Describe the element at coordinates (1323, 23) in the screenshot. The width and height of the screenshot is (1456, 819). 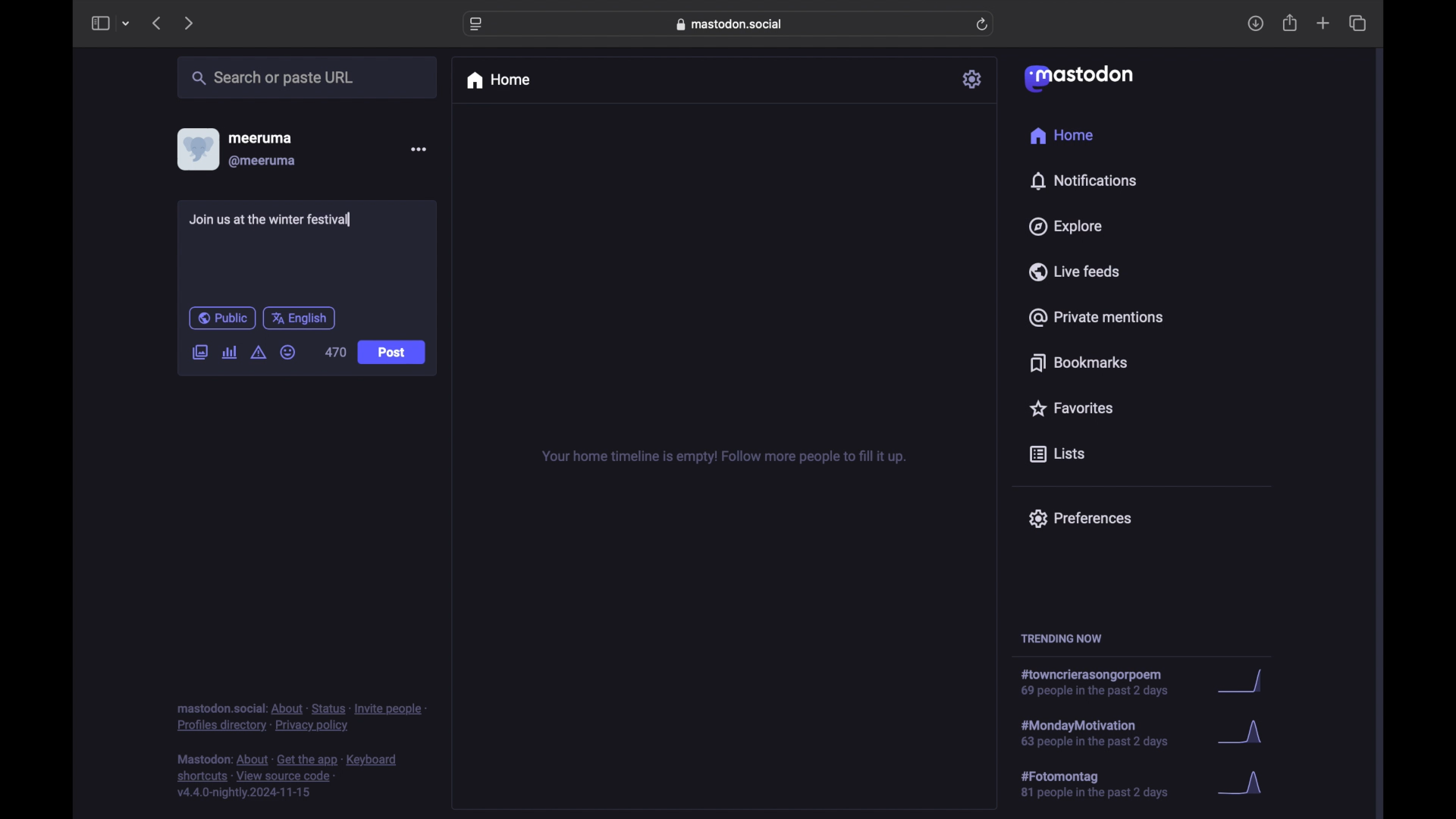
I see `new tab` at that location.